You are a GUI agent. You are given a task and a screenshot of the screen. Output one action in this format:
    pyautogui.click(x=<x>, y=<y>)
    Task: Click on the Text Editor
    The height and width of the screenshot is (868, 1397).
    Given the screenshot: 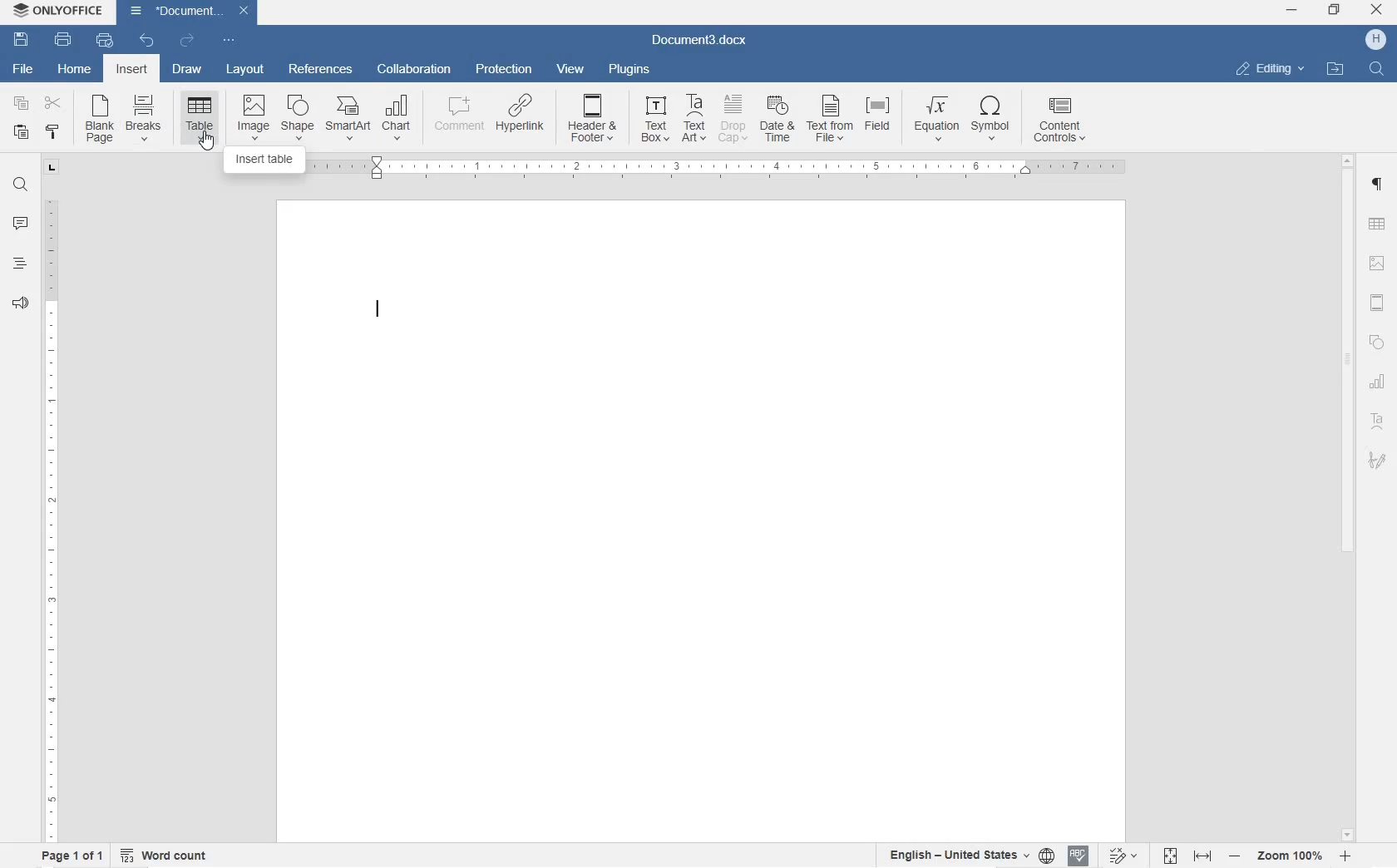 What is the action you would take?
    pyautogui.click(x=378, y=318)
    